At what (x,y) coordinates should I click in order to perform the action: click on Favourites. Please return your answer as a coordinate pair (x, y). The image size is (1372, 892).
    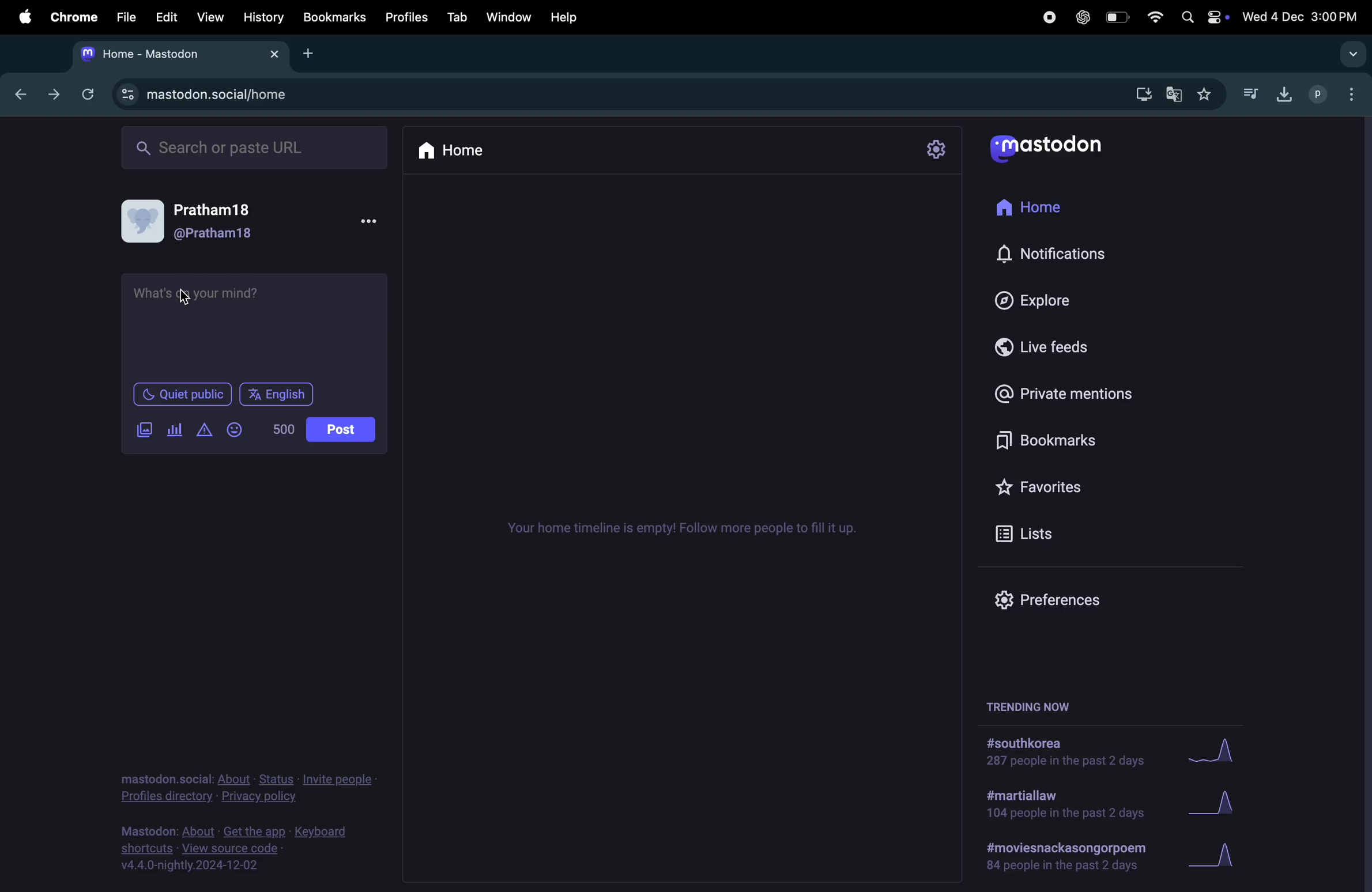
    Looking at the image, I should click on (1058, 488).